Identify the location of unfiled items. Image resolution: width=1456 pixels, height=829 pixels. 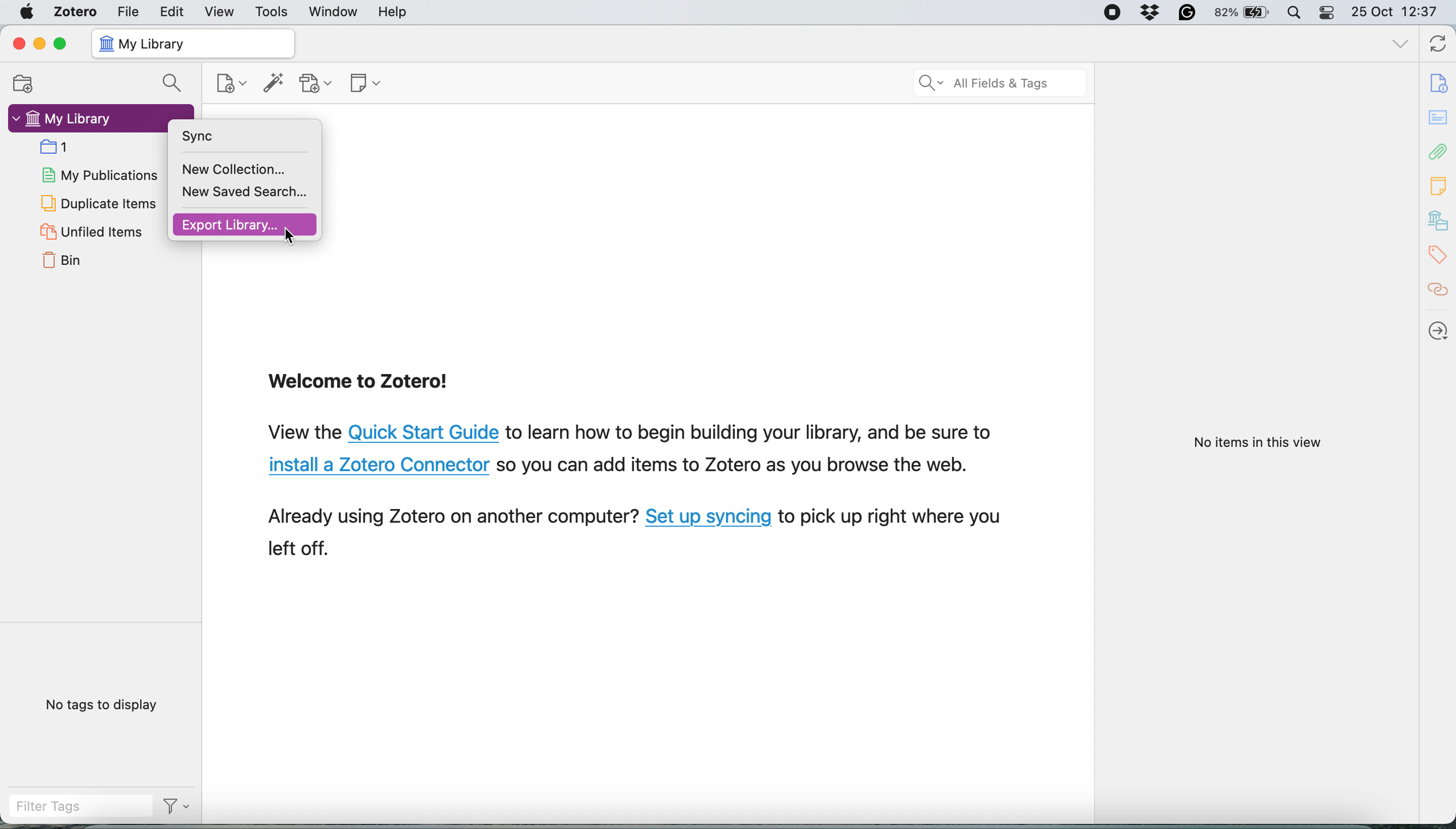
(91, 233).